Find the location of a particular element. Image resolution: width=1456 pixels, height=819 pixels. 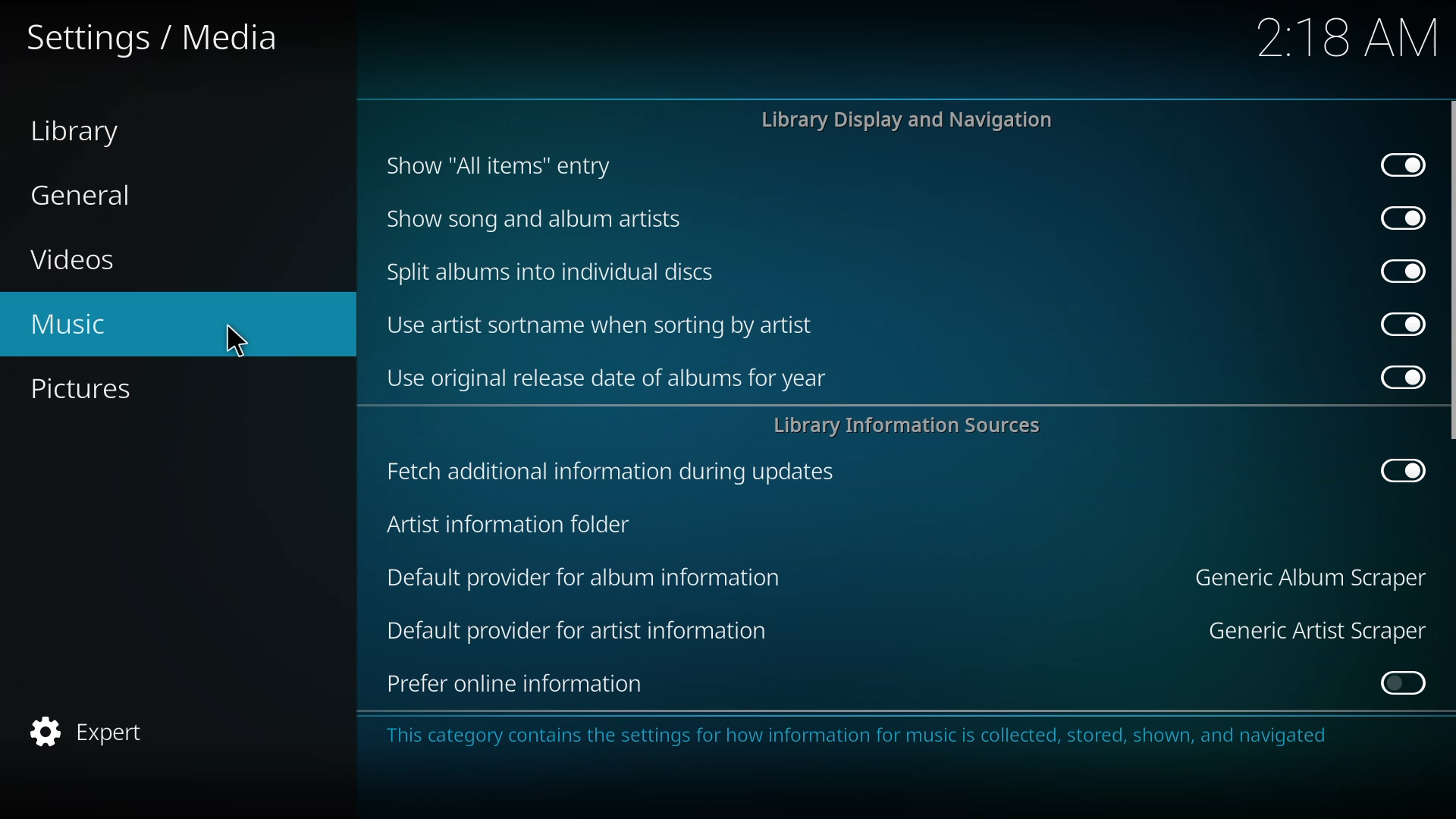

show song and album artists is located at coordinates (543, 218).